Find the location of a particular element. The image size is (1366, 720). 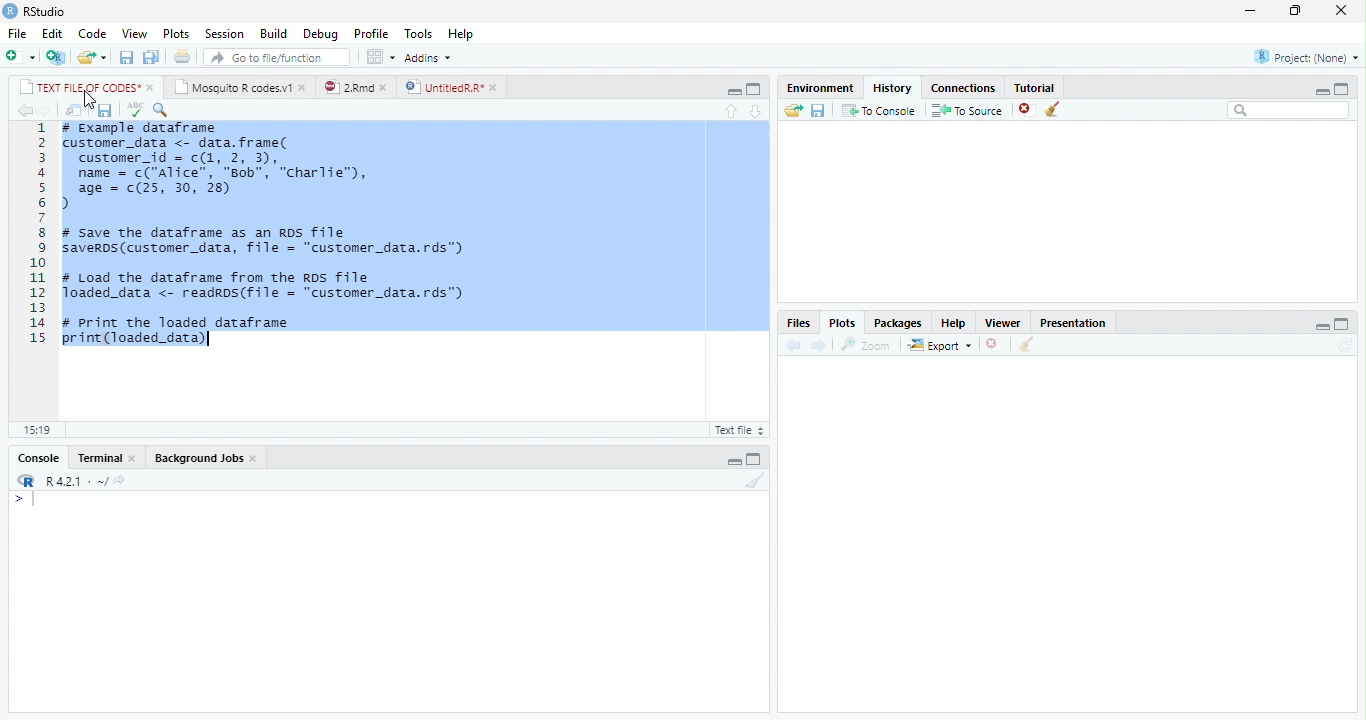

close is located at coordinates (151, 88).